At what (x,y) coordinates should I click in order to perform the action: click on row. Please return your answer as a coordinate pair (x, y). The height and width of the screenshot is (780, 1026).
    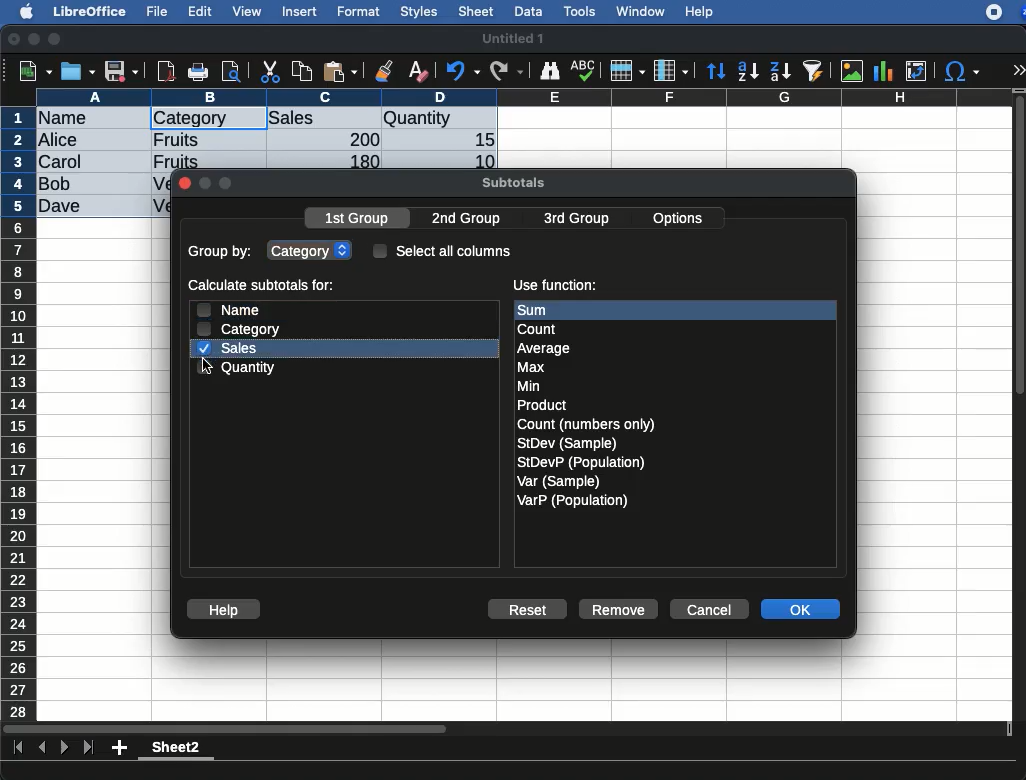
    Looking at the image, I should click on (20, 413).